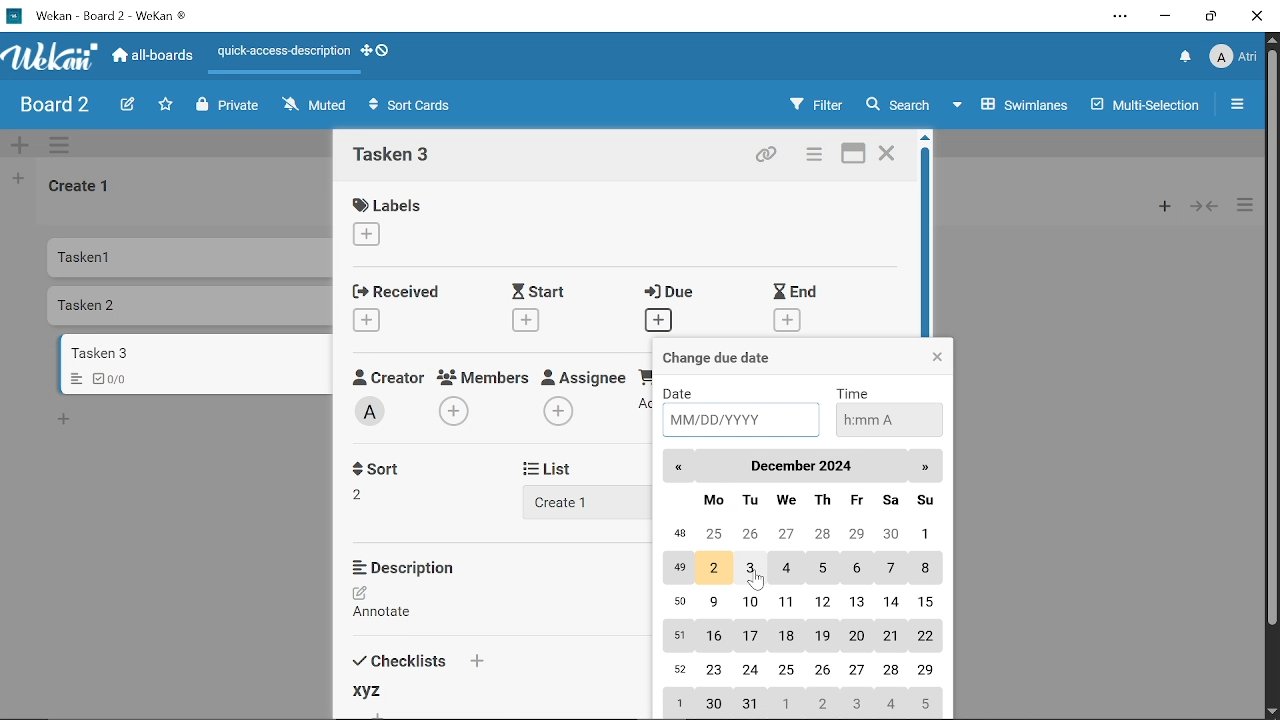 This screenshot has height=720, width=1280. I want to click on Add start date, so click(524, 319).